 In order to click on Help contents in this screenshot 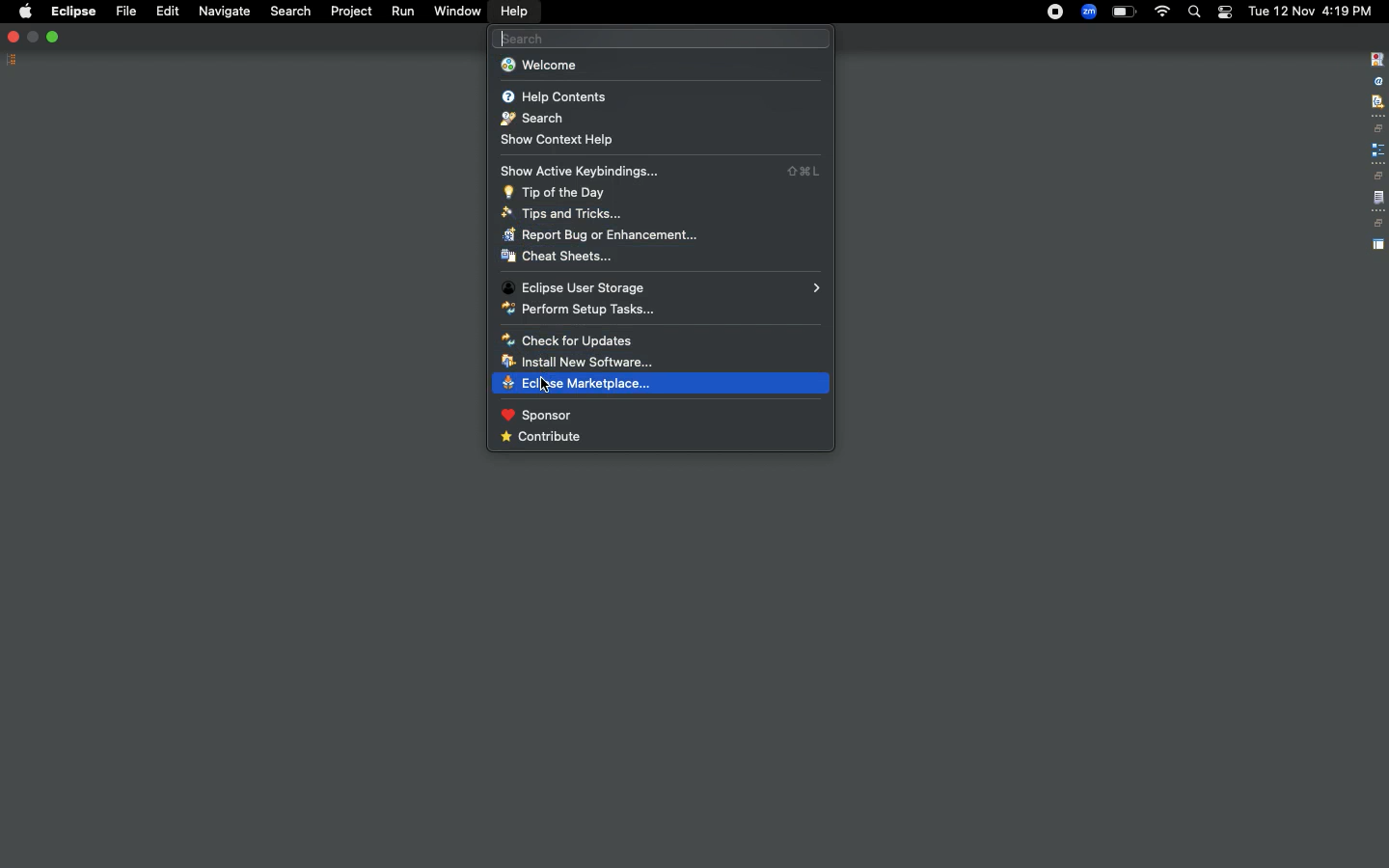, I will do `click(555, 97)`.